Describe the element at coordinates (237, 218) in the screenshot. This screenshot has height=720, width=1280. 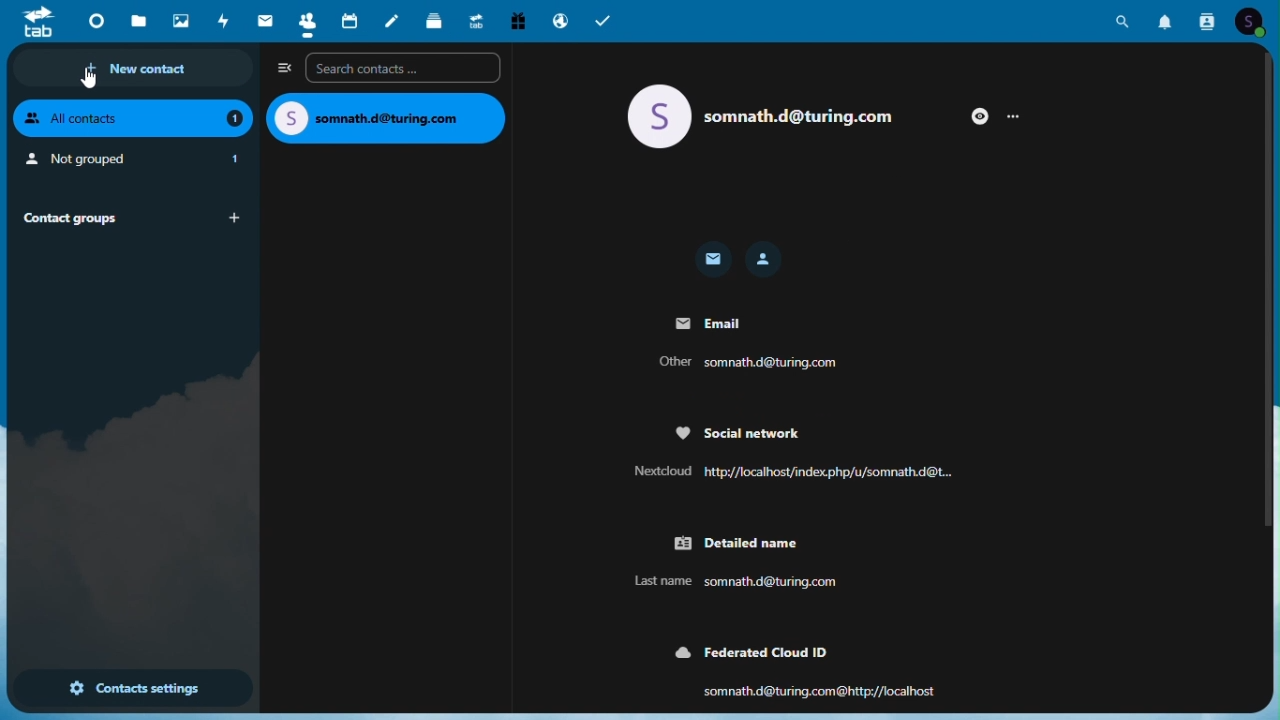
I see `add group` at that location.